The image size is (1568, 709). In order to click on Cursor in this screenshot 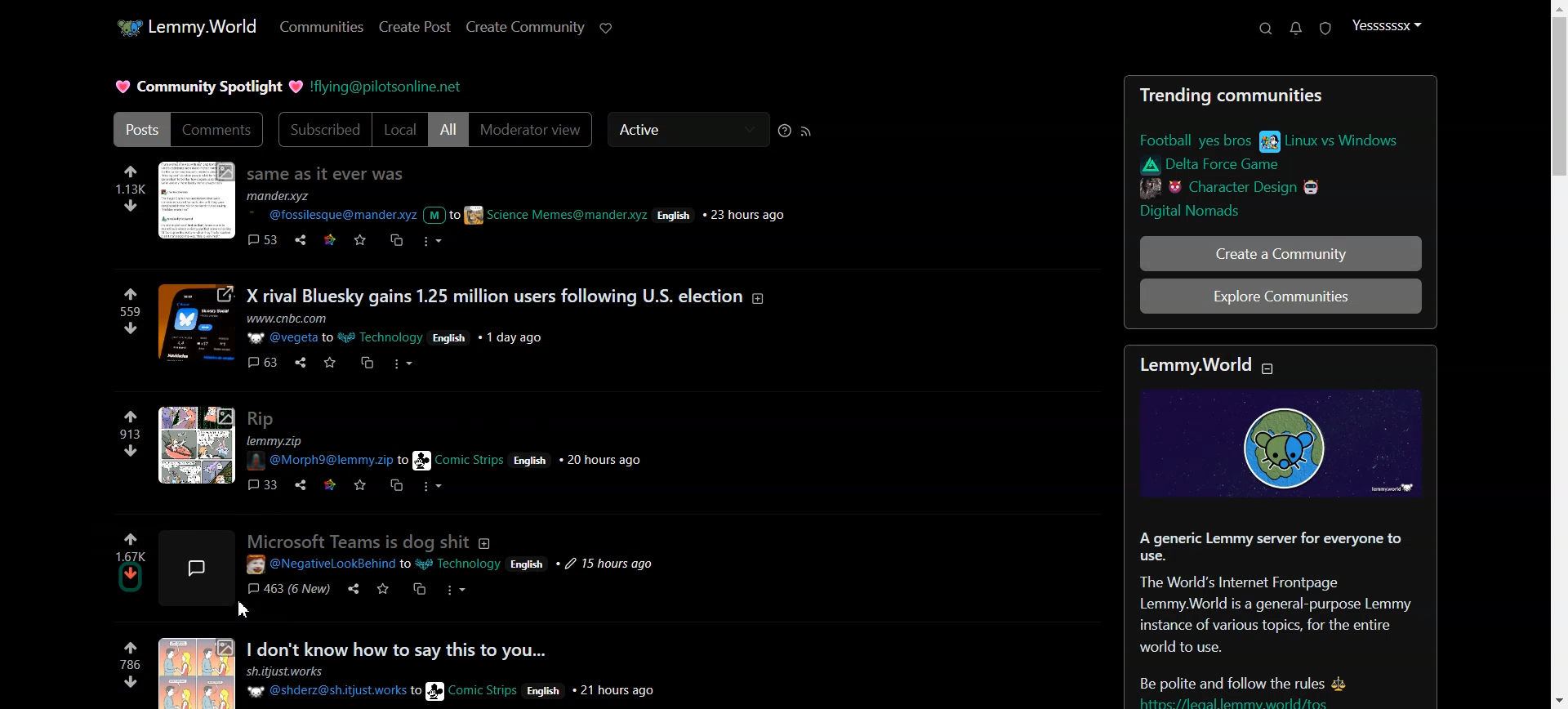, I will do `click(244, 610)`.